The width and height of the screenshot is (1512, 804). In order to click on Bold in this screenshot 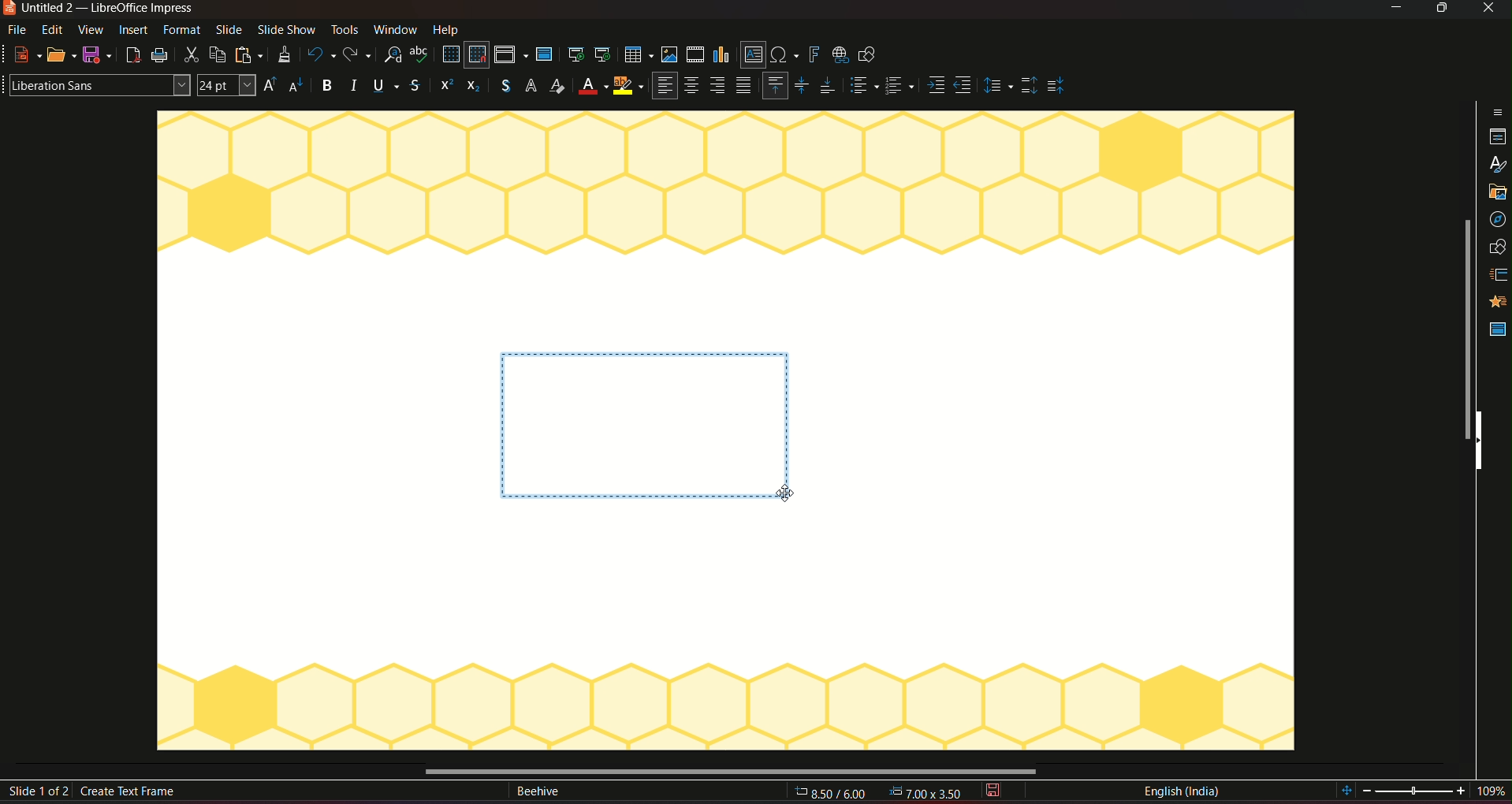, I will do `click(327, 86)`.